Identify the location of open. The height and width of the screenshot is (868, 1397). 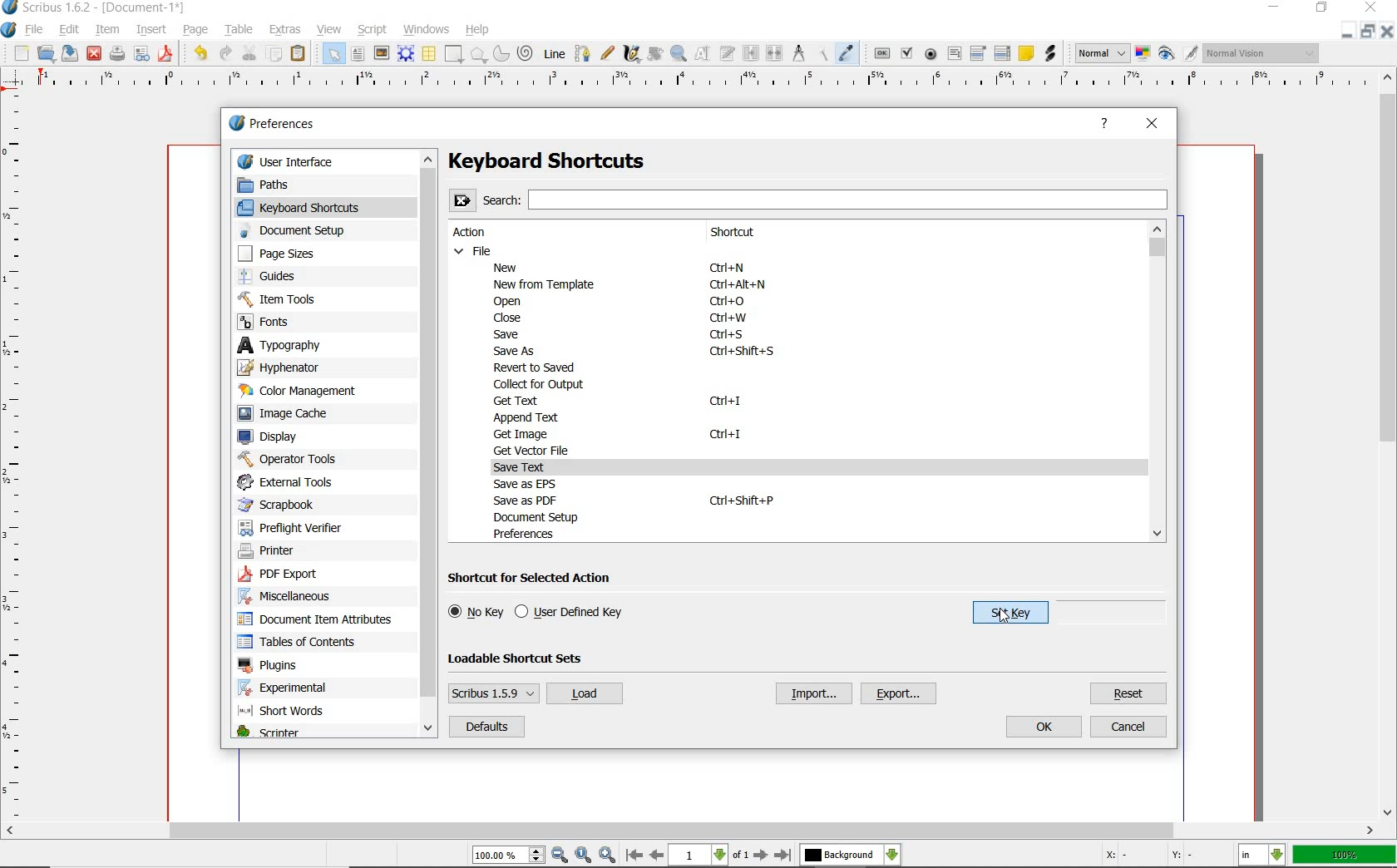
(46, 52).